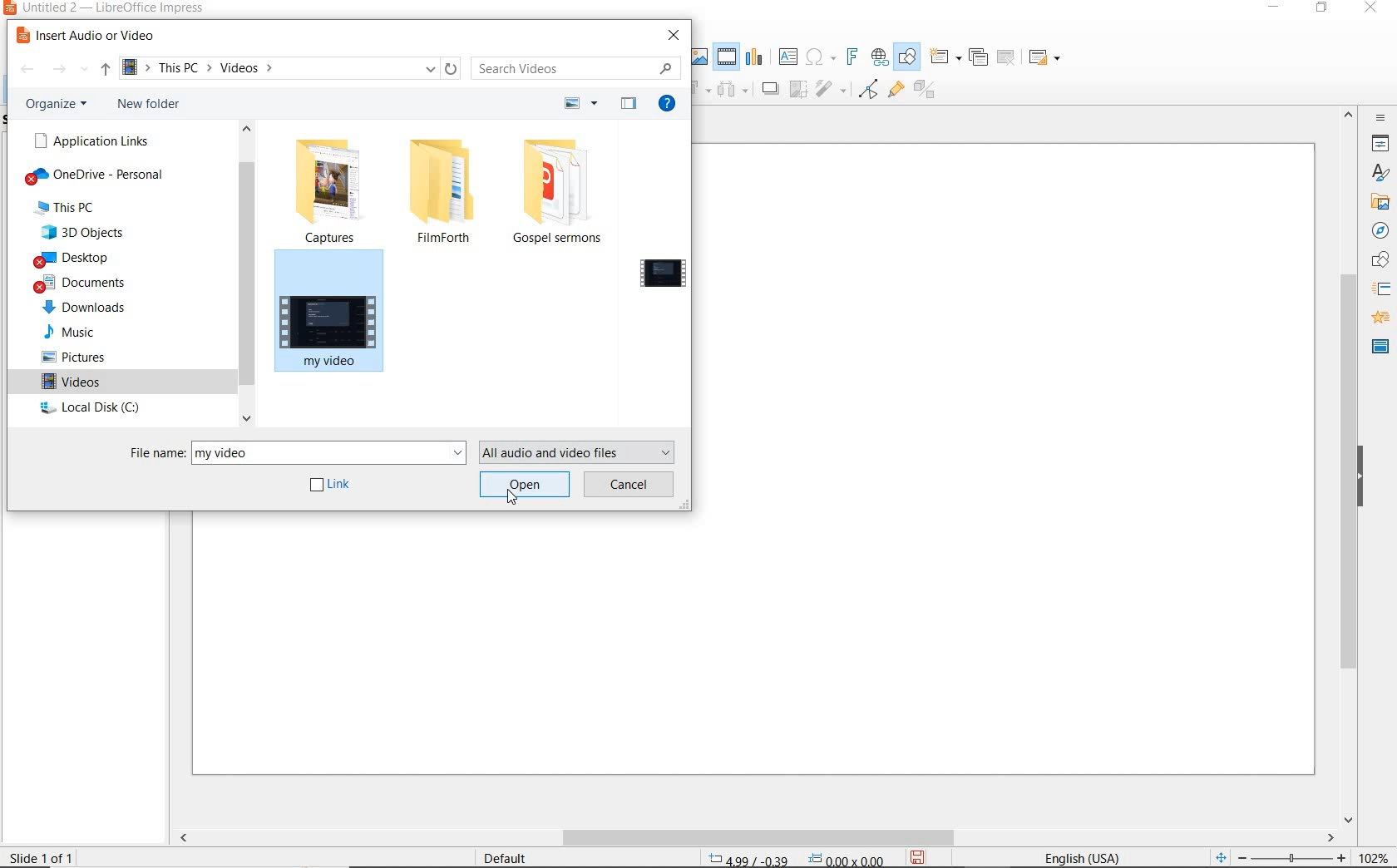 The height and width of the screenshot is (868, 1397). I want to click on SAVE, so click(922, 856).